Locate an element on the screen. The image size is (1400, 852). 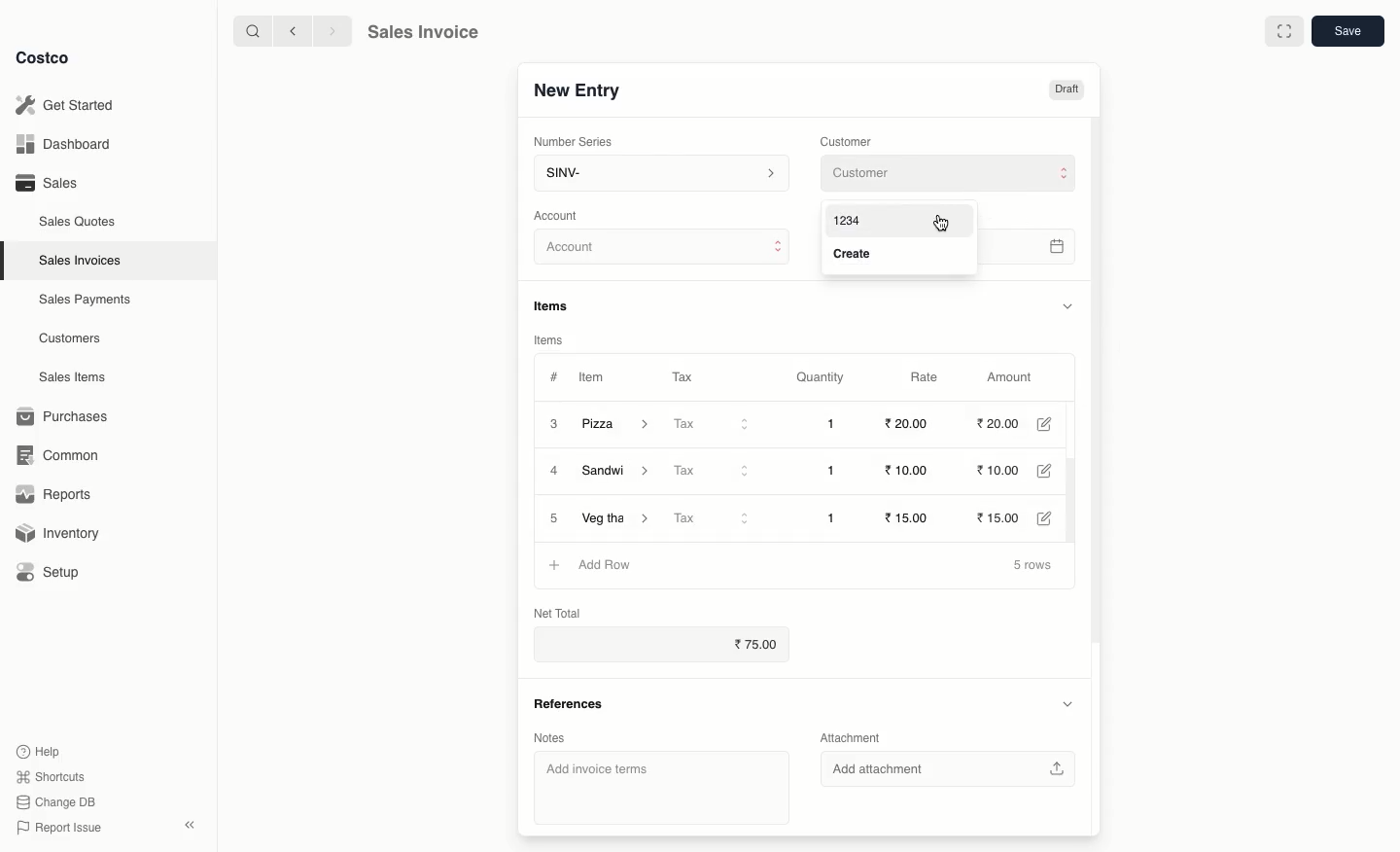
Tax is located at coordinates (682, 373).